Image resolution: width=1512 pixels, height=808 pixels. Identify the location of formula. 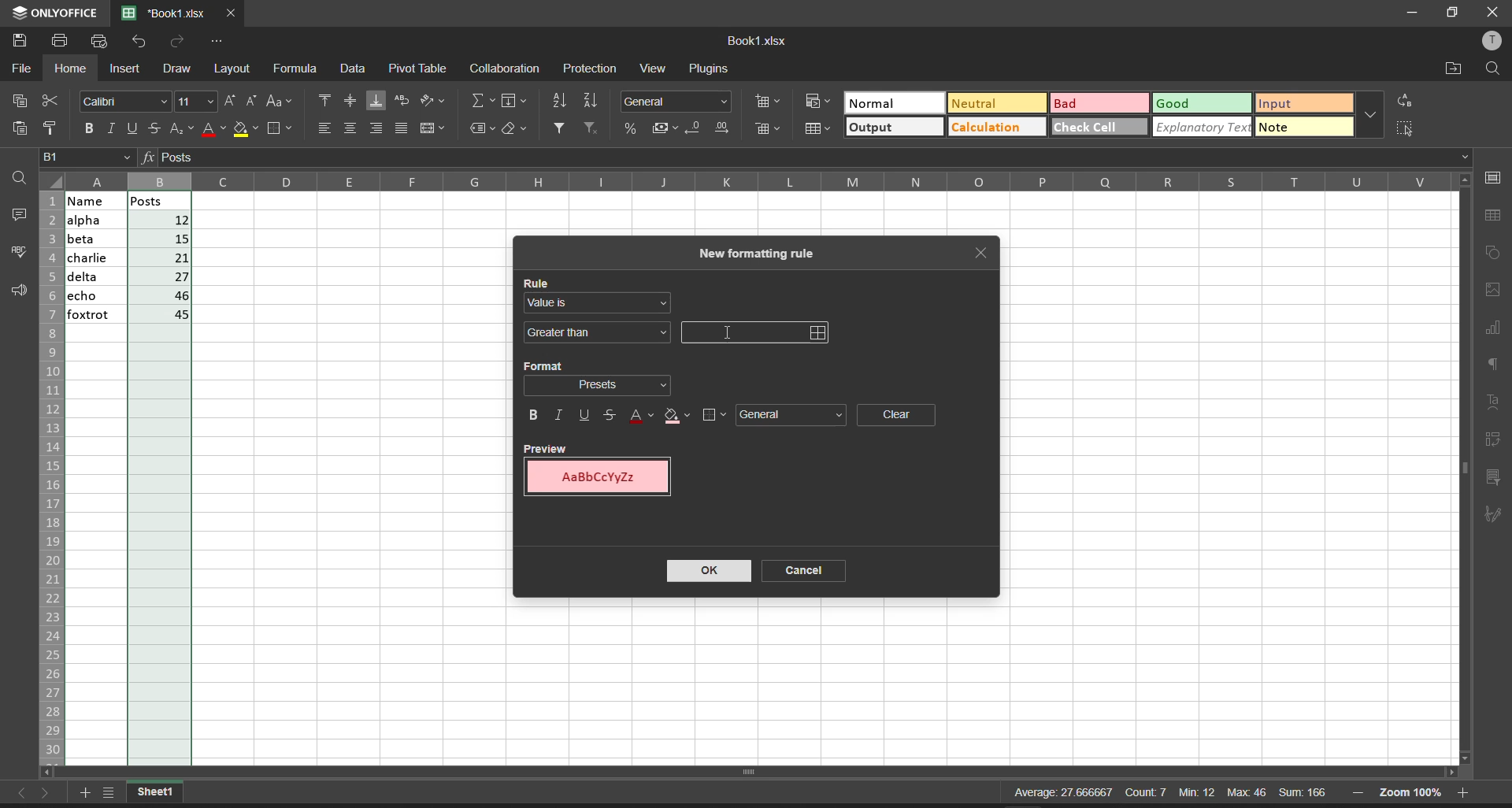
(297, 68).